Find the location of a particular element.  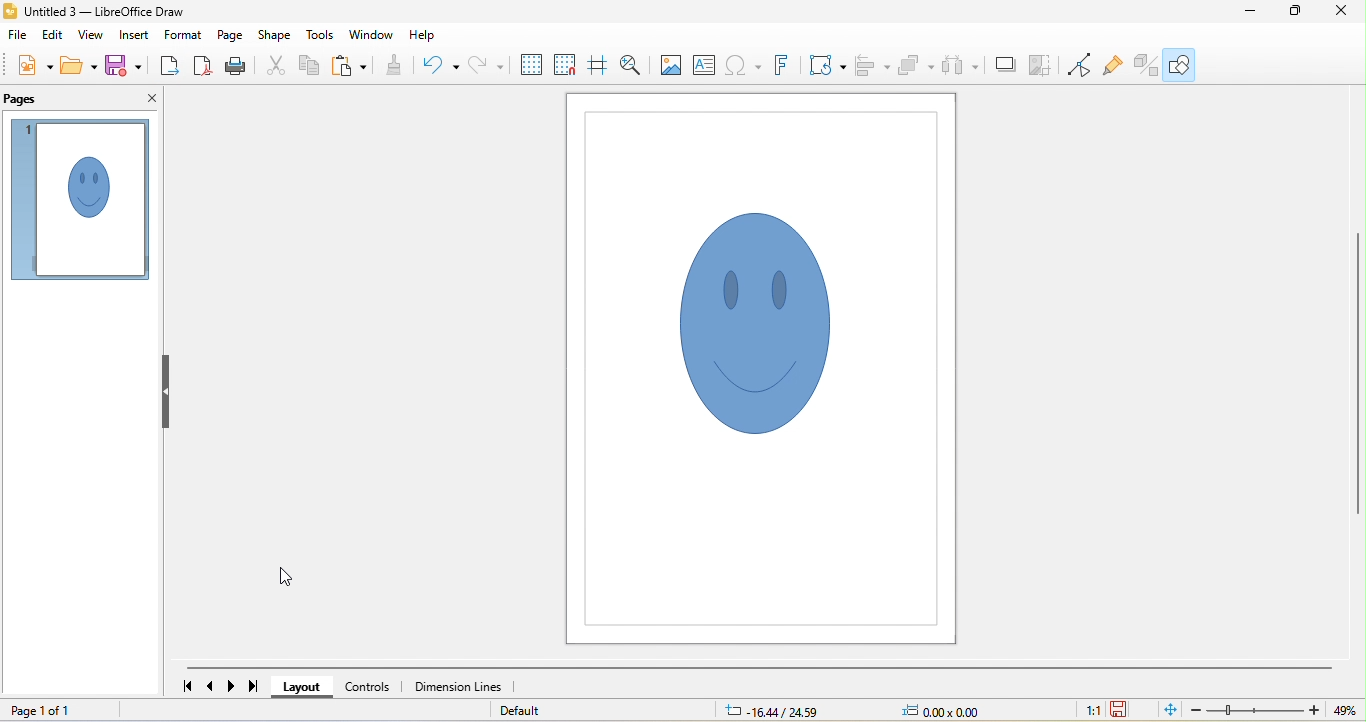

help is located at coordinates (424, 36).